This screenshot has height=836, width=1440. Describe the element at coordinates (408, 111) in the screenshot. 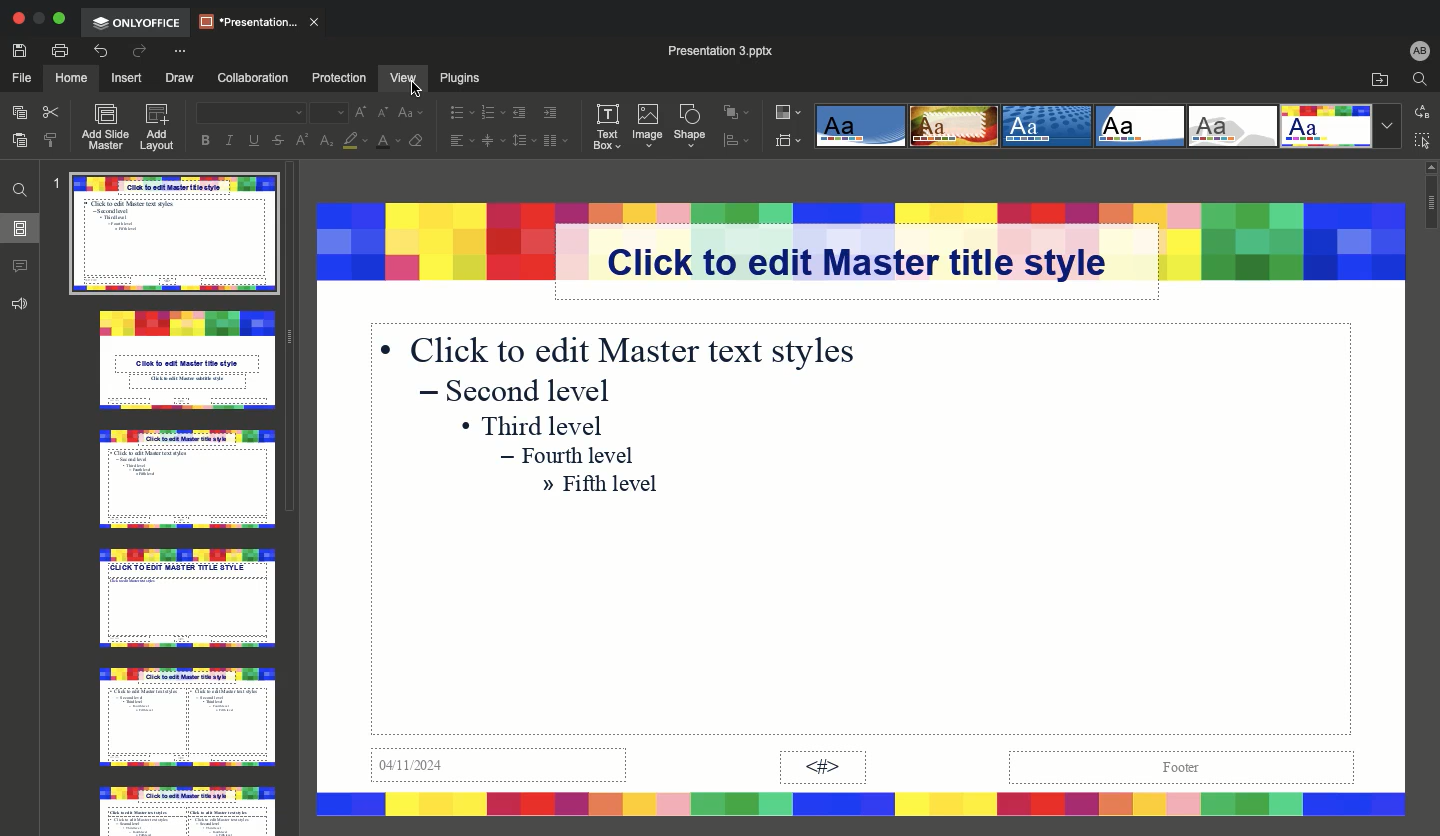

I see `Change case` at that location.